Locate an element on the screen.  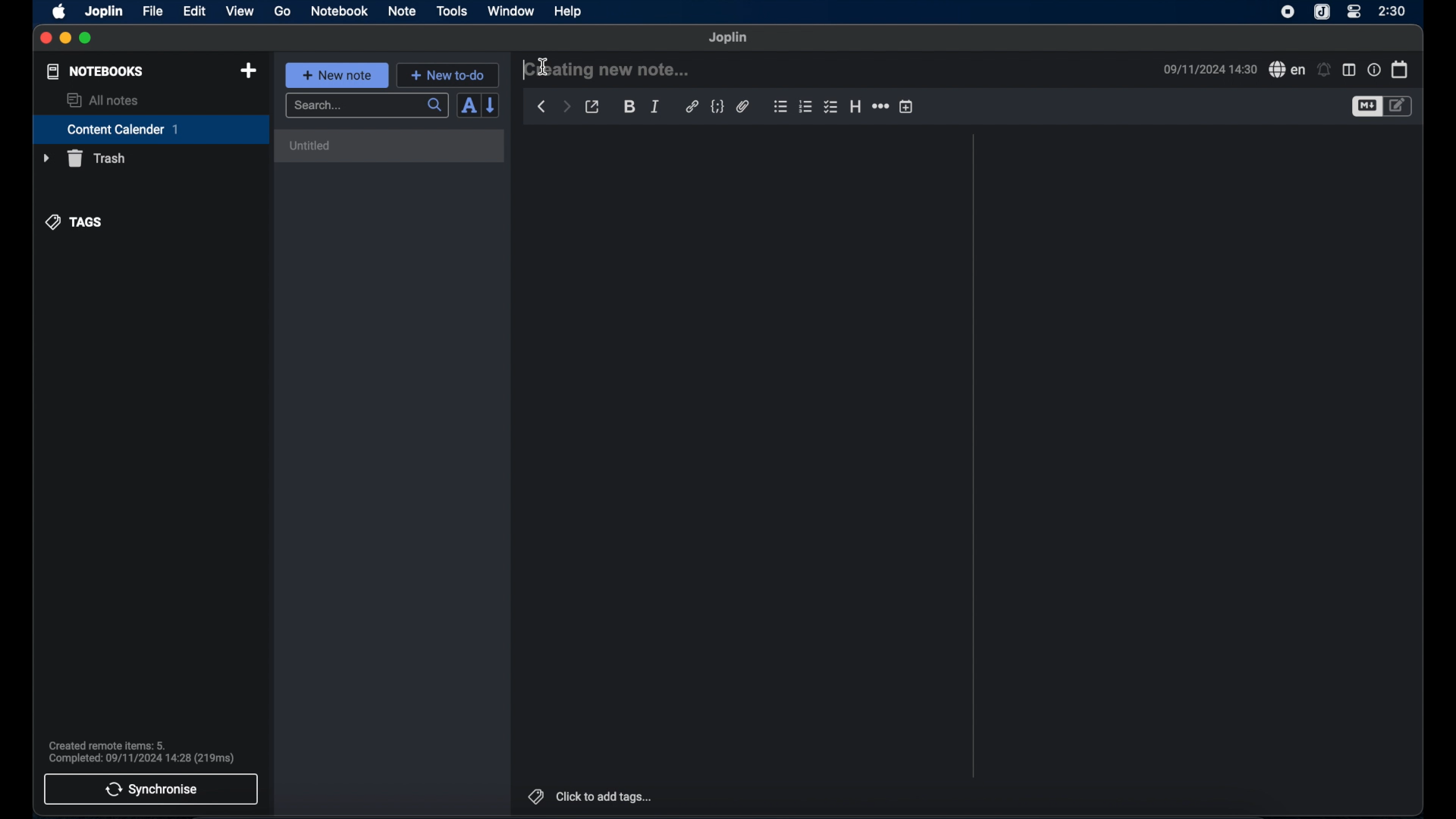
heading is located at coordinates (855, 106).